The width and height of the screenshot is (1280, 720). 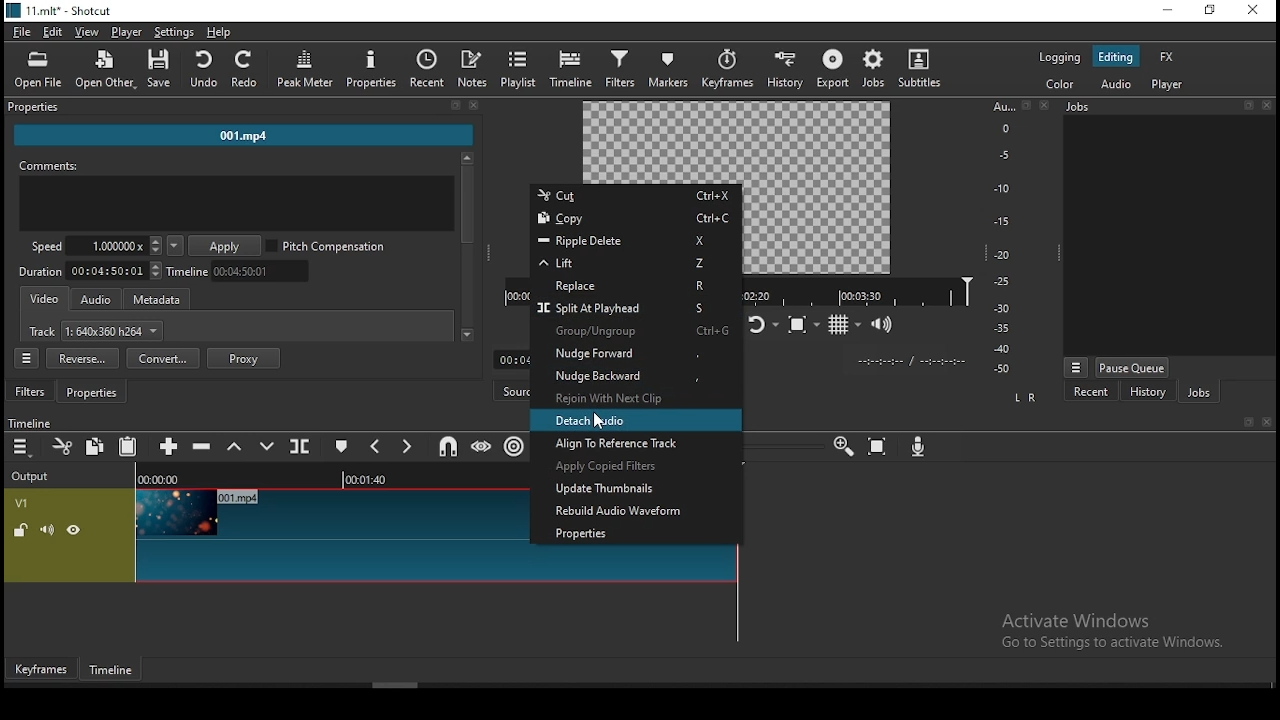 I want to click on fx, so click(x=1167, y=57).